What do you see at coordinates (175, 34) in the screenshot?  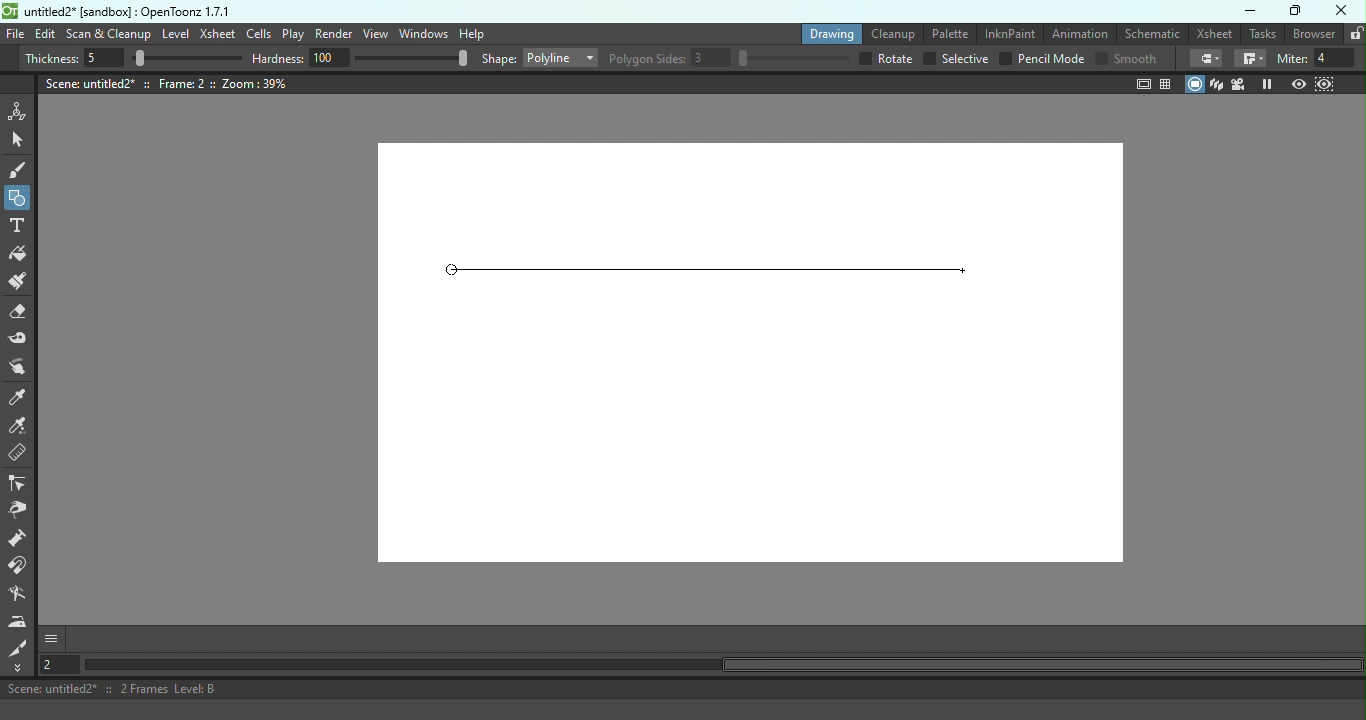 I see `Level` at bounding box center [175, 34].